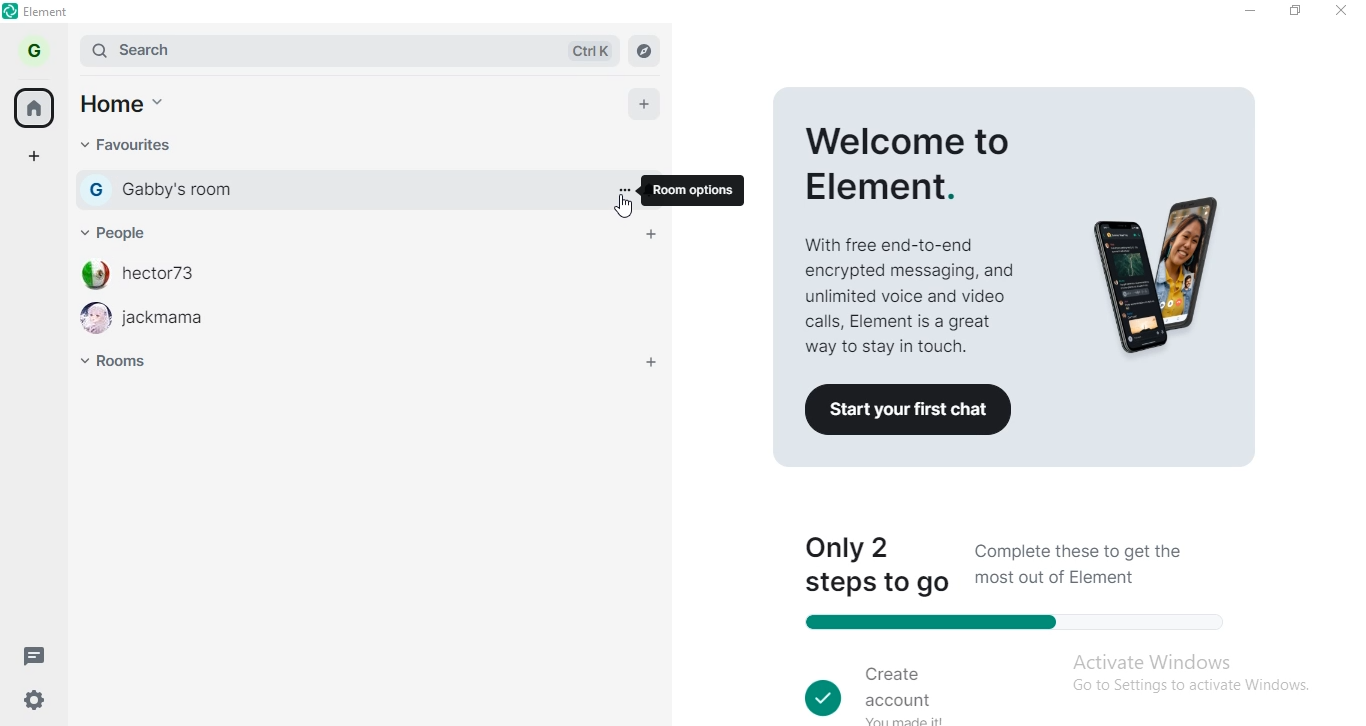 This screenshot has width=1366, height=726. What do you see at coordinates (641, 100) in the screenshot?
I see `add` at bounding box center [641, 100].